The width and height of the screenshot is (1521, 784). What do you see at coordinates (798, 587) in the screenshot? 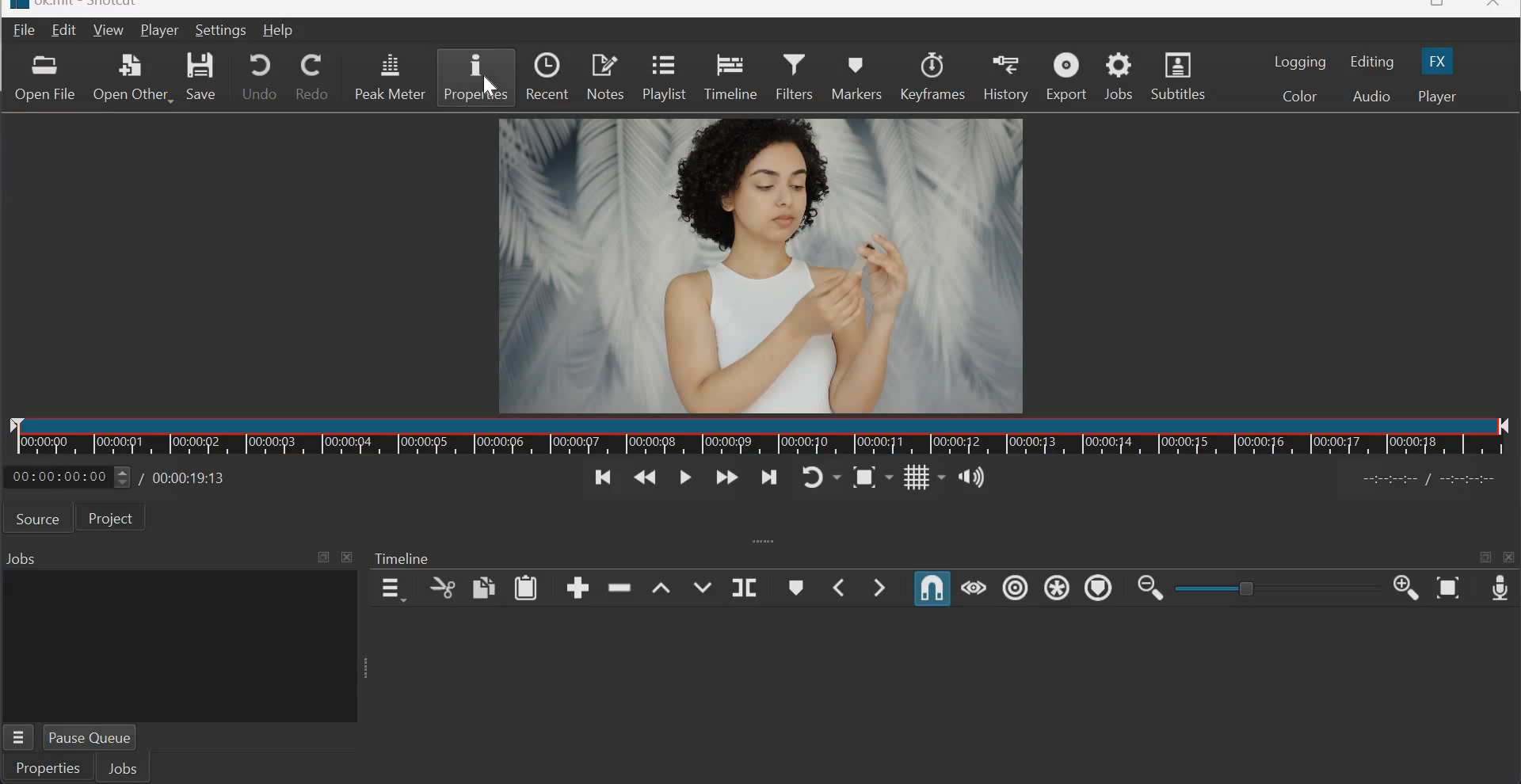
I see `Create/edit marker` at bounding box center [798, 587].